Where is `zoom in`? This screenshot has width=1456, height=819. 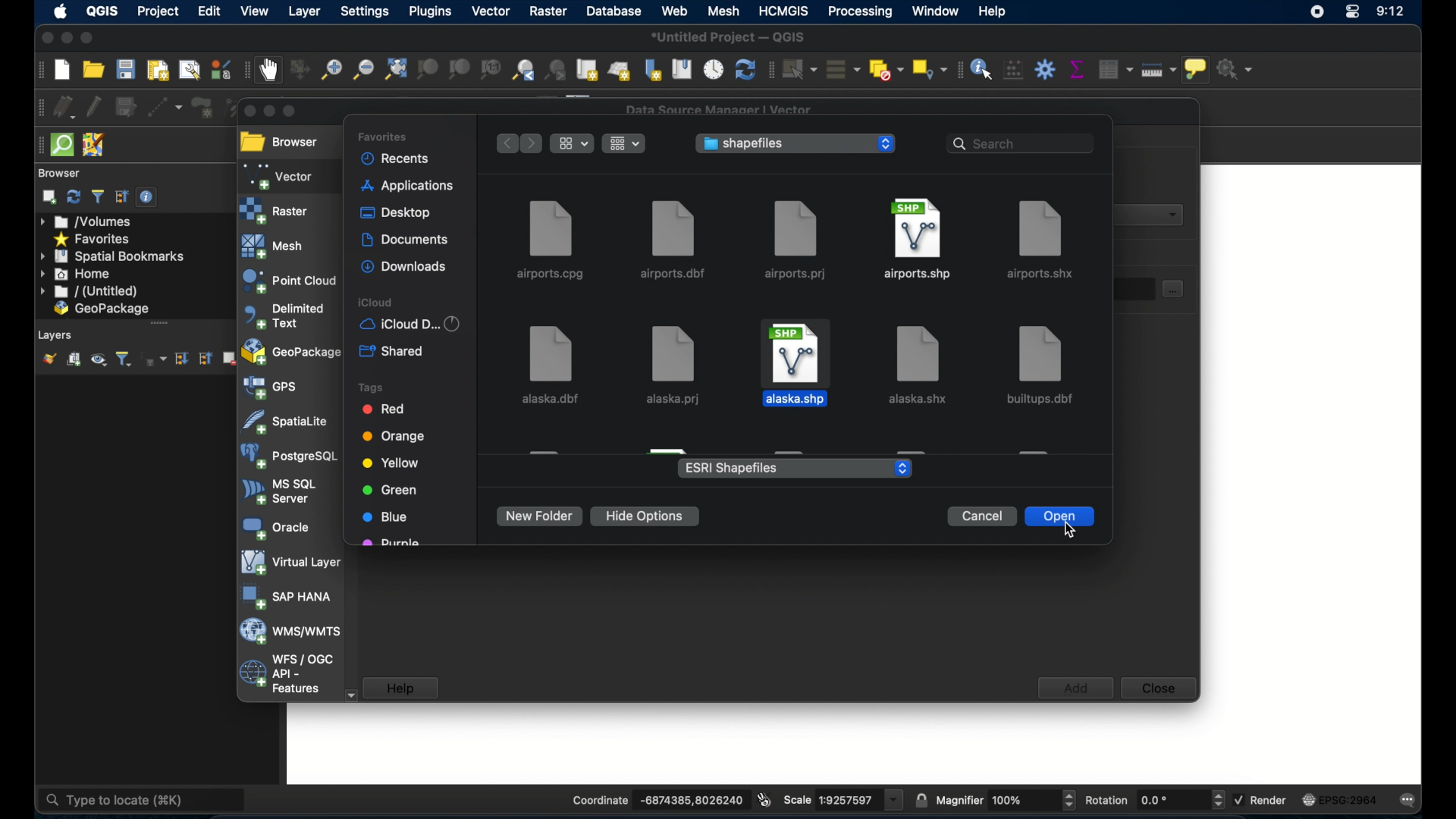
zoom in is located at coordinates (330, 71).